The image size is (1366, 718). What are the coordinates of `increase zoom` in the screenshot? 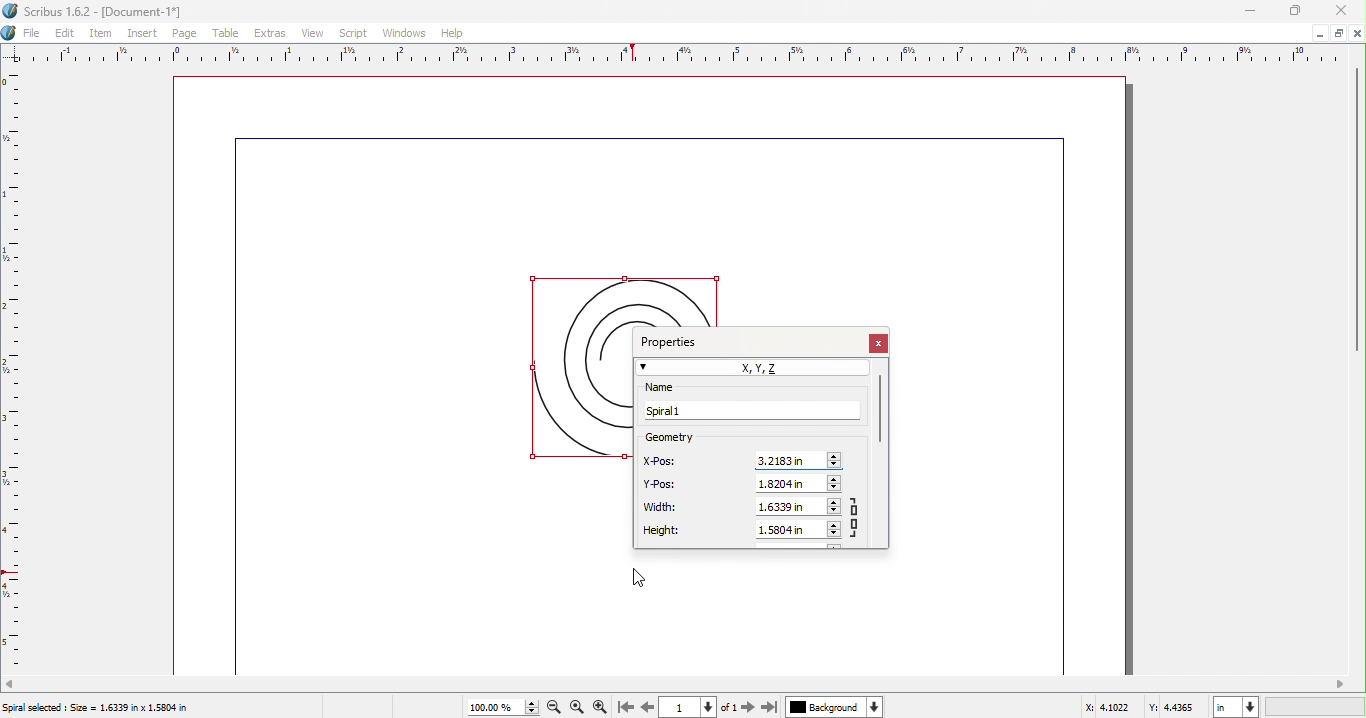 It's located at (531, 702).